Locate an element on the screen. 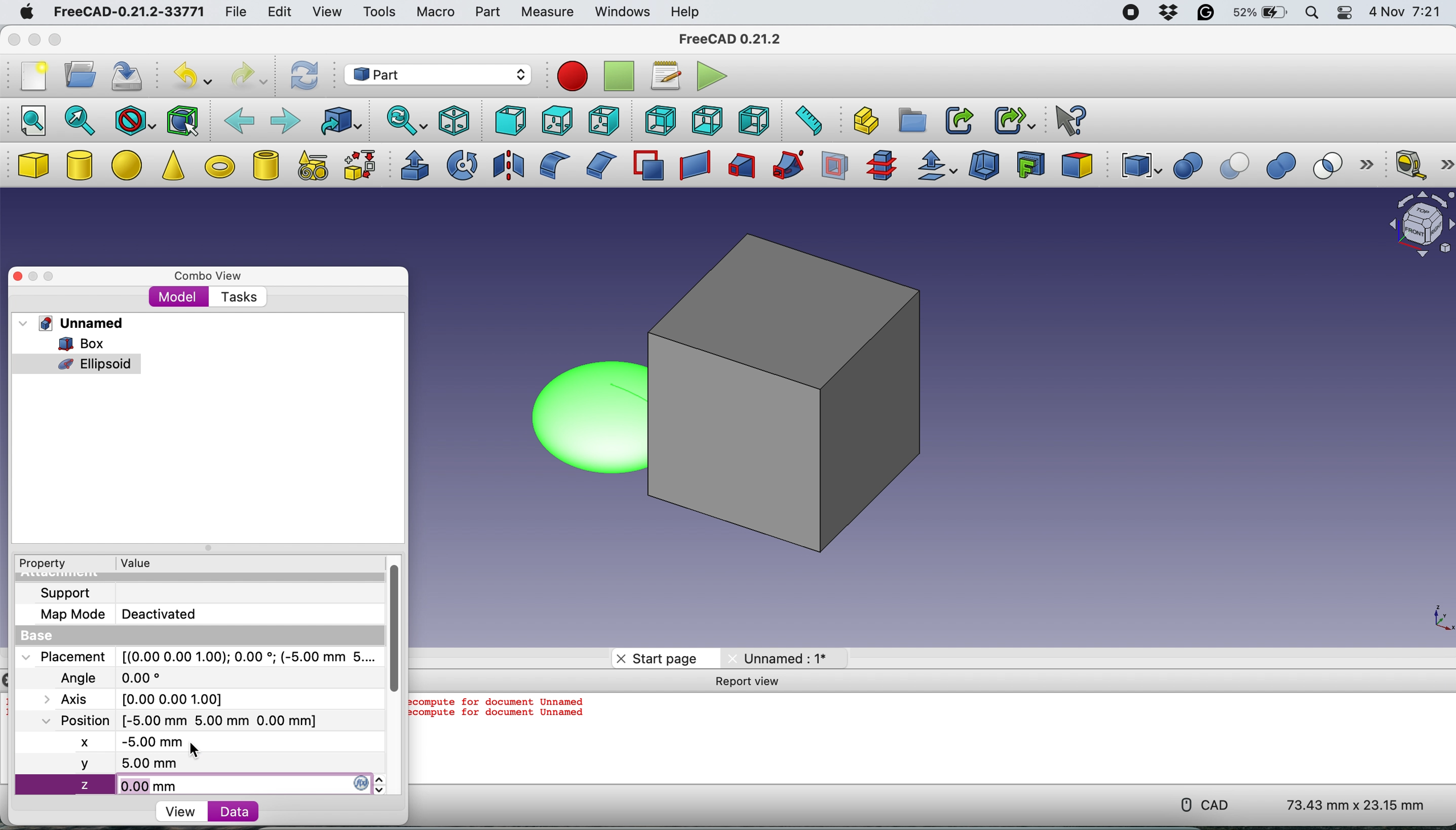 The image size is (1456, 830). maximise is located at coordinates (60, 274).